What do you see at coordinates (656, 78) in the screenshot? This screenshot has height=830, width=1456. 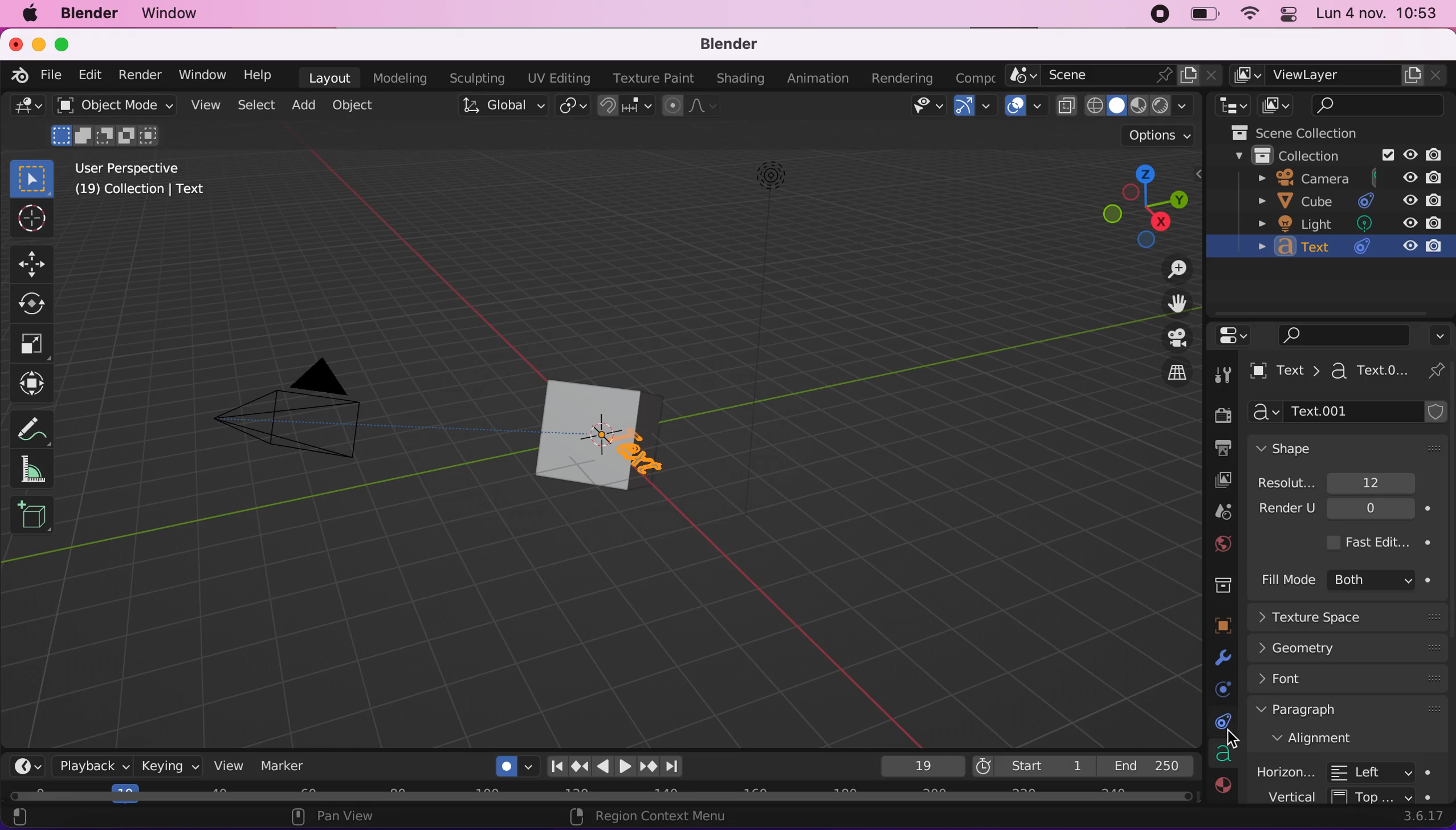 I see `texture paint` at bounding box center [656, 78].